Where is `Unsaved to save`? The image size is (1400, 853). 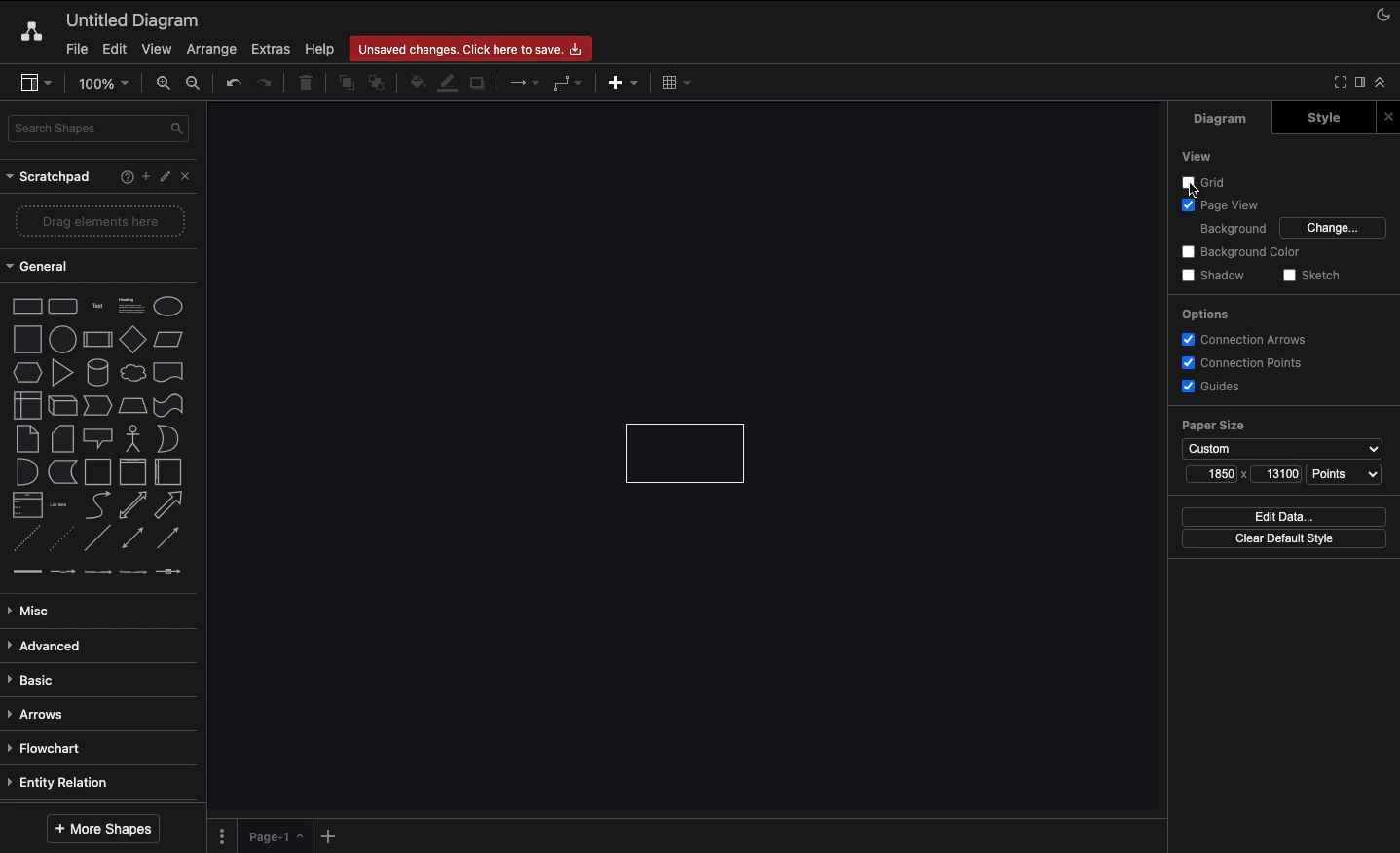 Unsaved to save is located at coordinates (474, 47).